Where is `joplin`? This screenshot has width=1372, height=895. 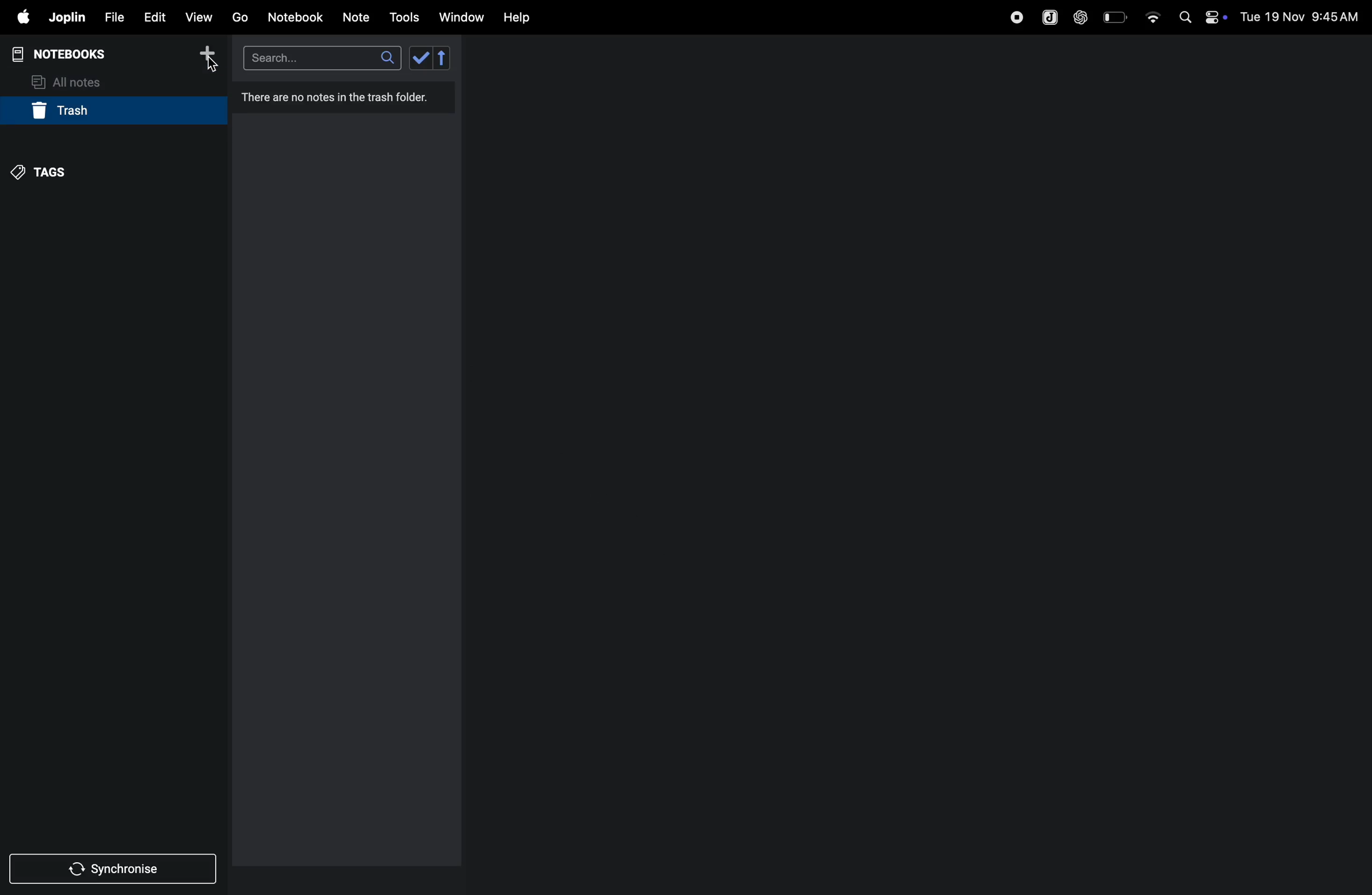
joplin is located at coordinates (66, 17).